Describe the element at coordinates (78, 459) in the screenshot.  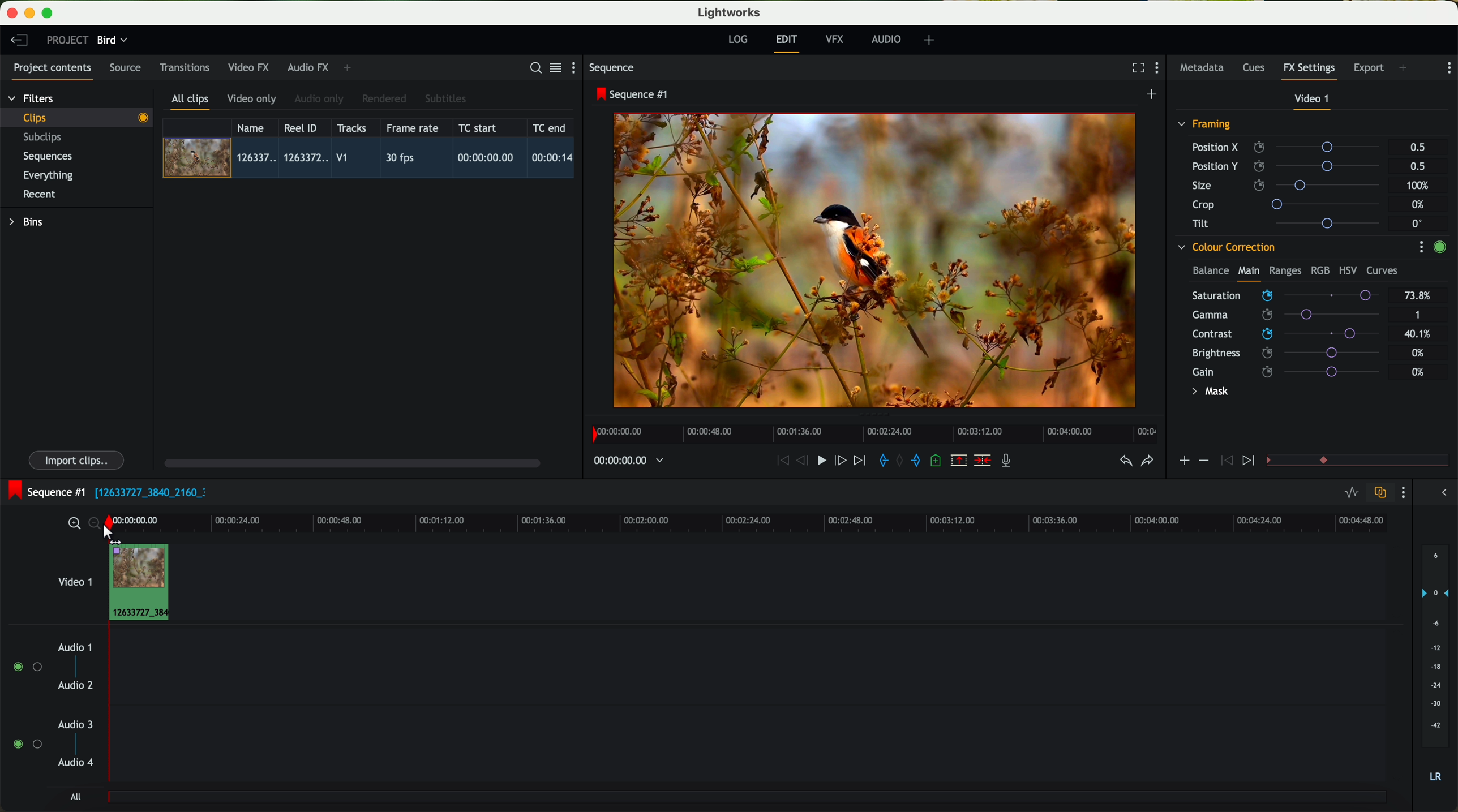
I see `import clips` at that location.